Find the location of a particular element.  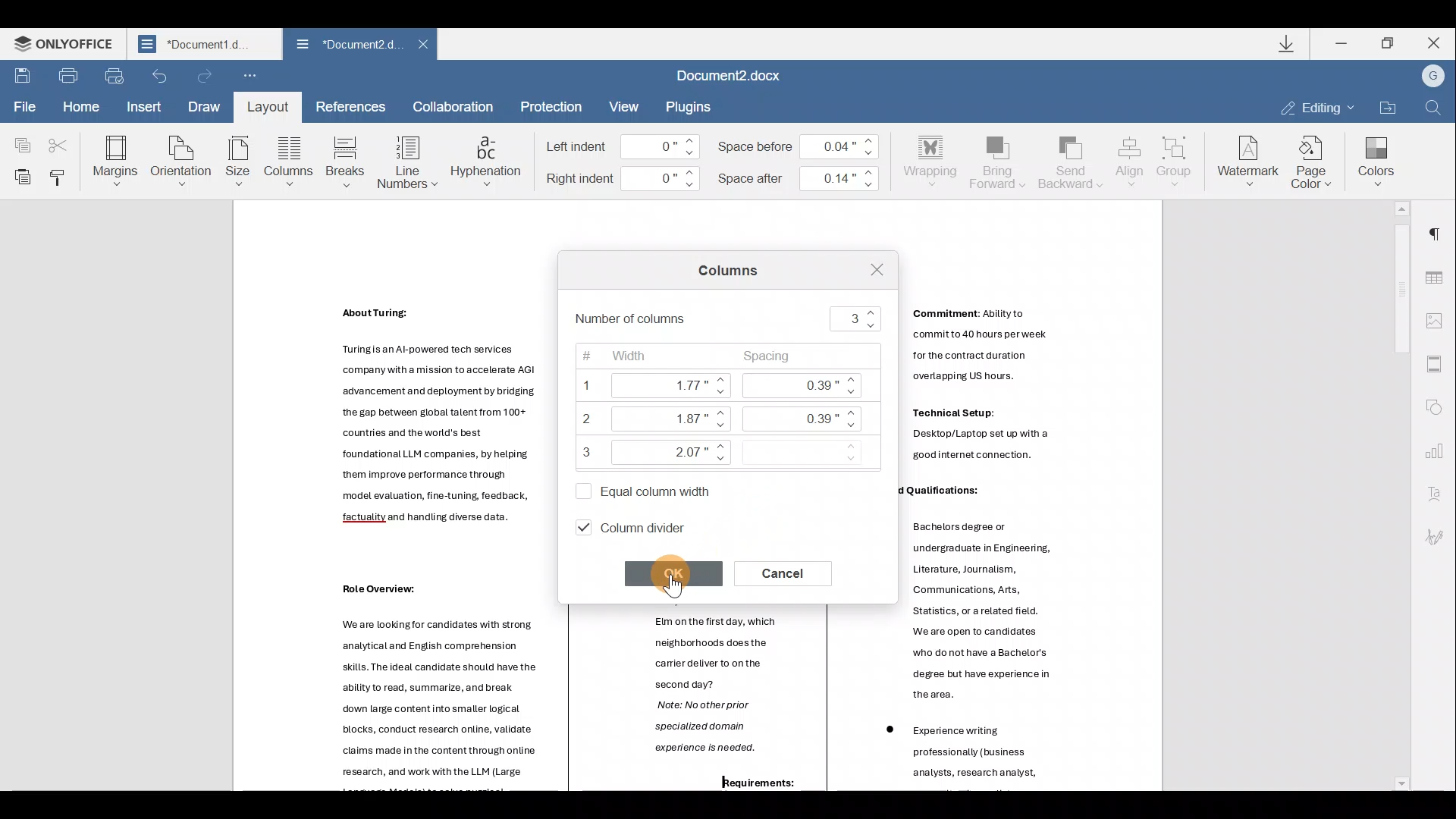

Editing mode is located at coordinates (1316, 106).